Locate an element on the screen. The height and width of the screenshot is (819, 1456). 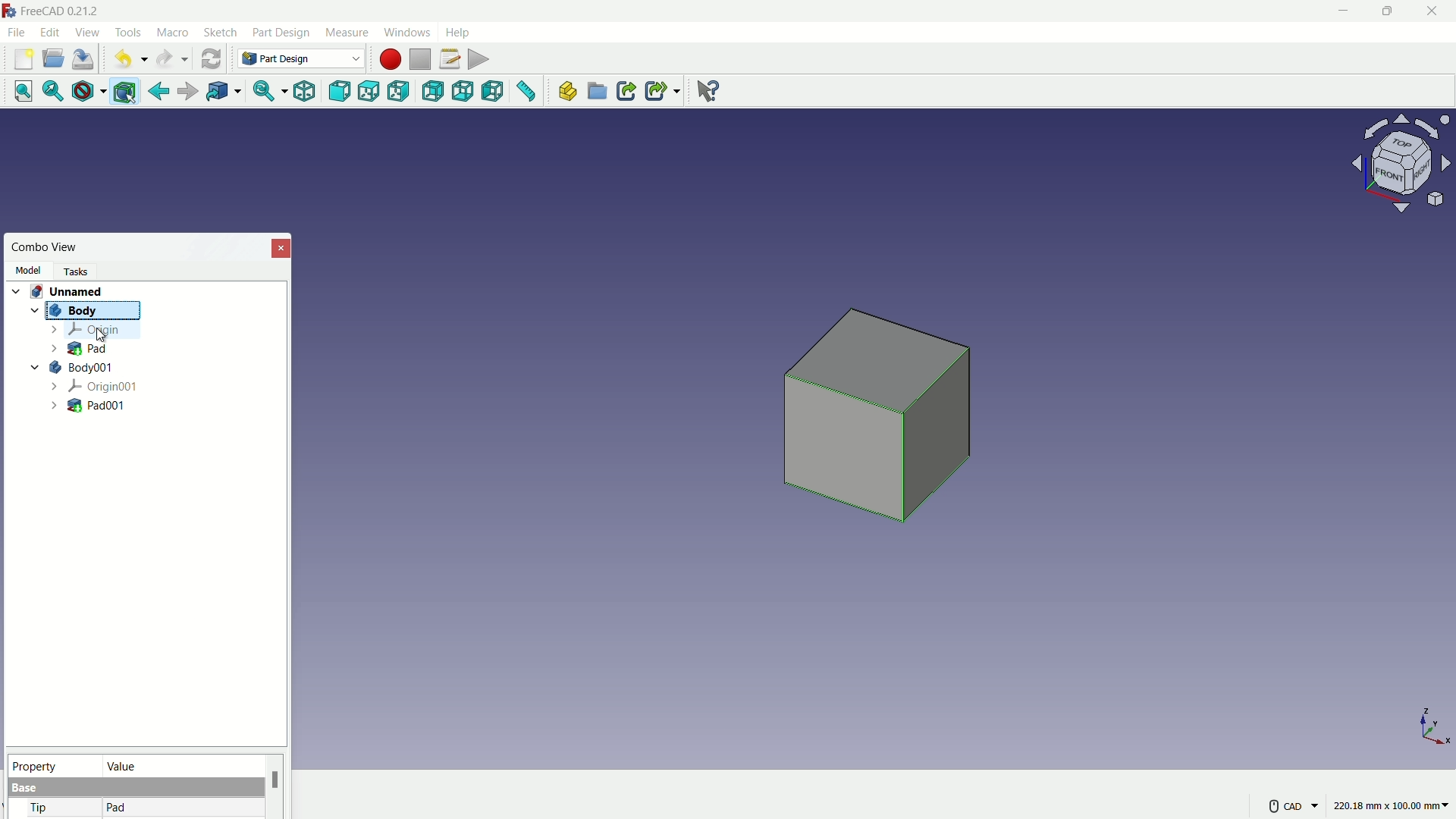
220.18 mm x 100.00 mm~ is located at coordinates (1391, 805).